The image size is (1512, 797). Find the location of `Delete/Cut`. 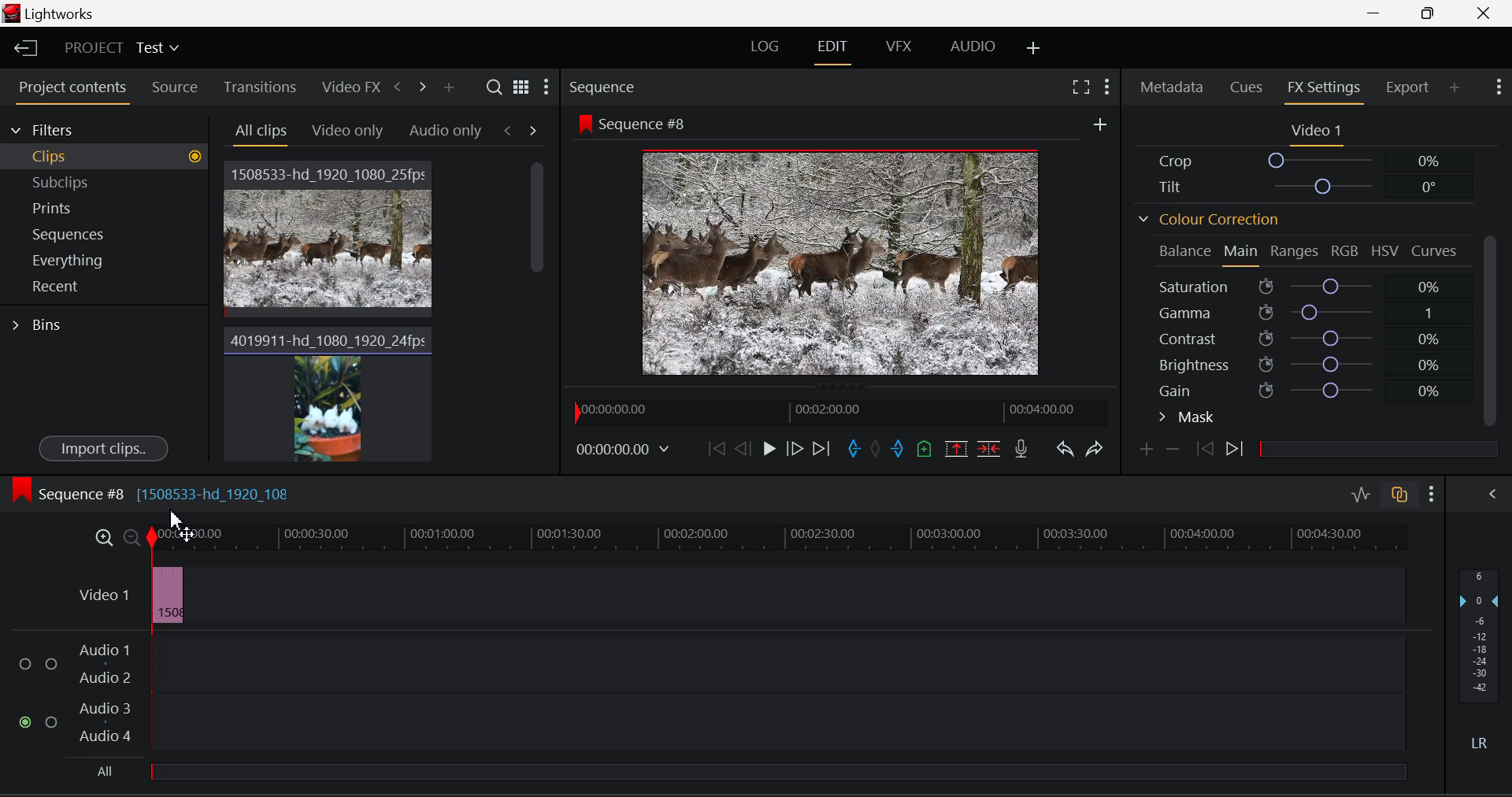

Delete/Cut is located at coordinates (989, 449).